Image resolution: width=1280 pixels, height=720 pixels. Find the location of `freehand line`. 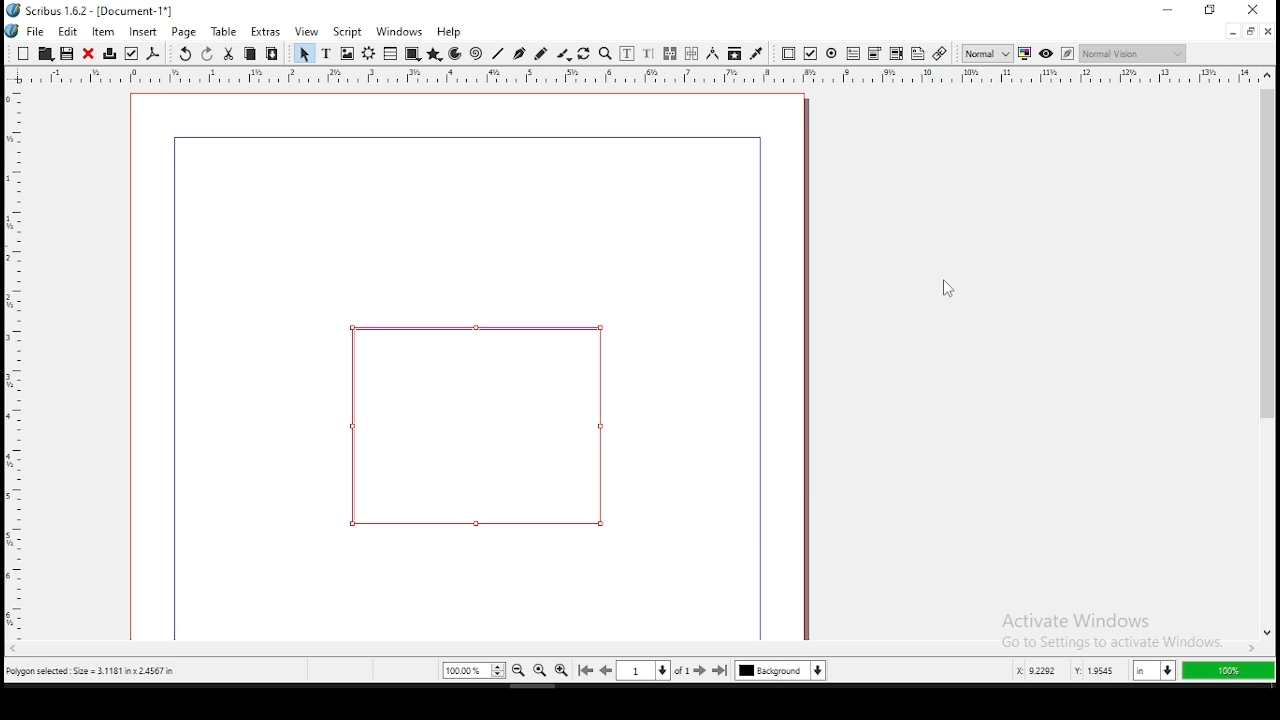

freehand line is located at coordinates (541, 53).